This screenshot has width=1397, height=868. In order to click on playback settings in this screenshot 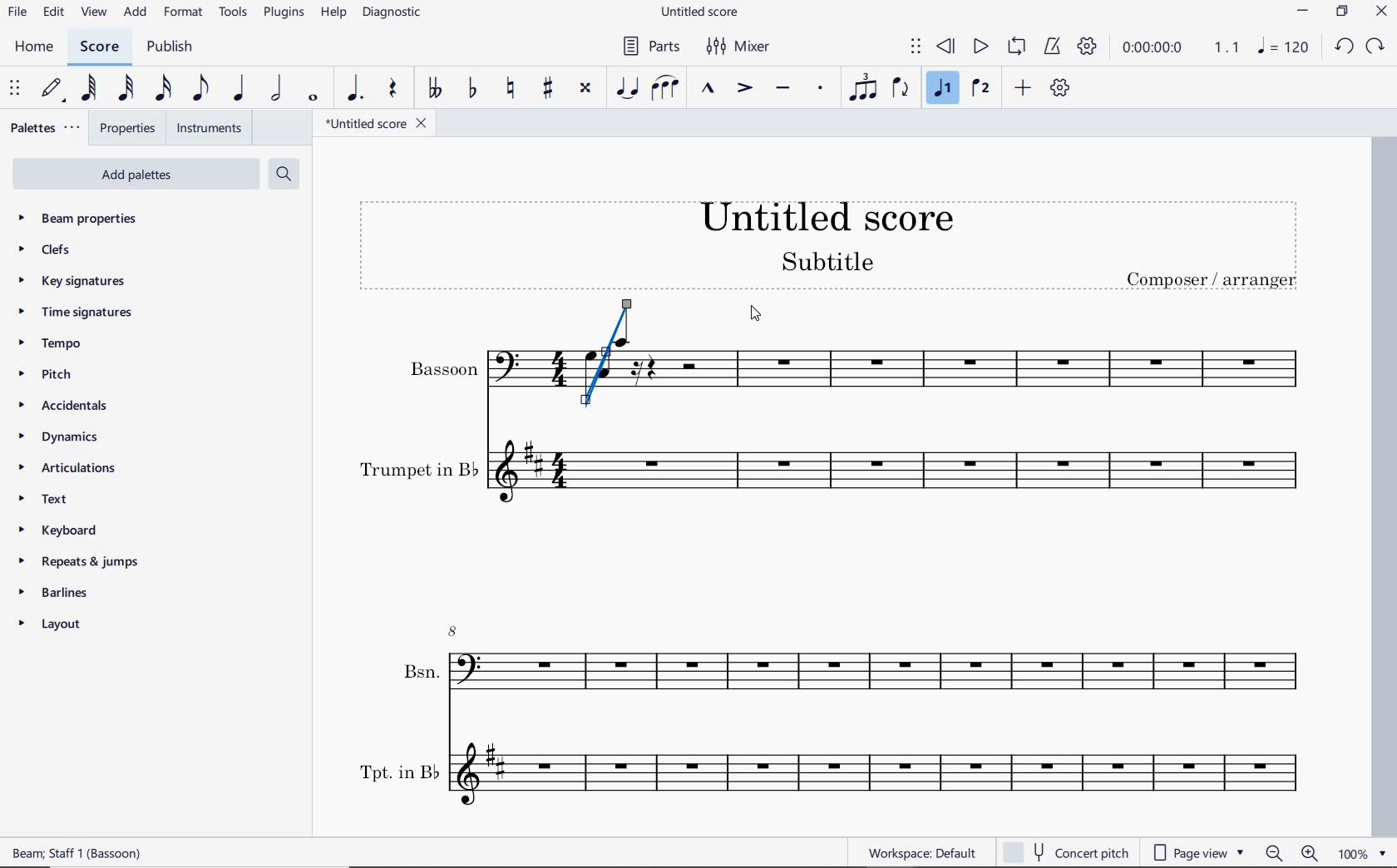, I will do `click(1088, 46)`.